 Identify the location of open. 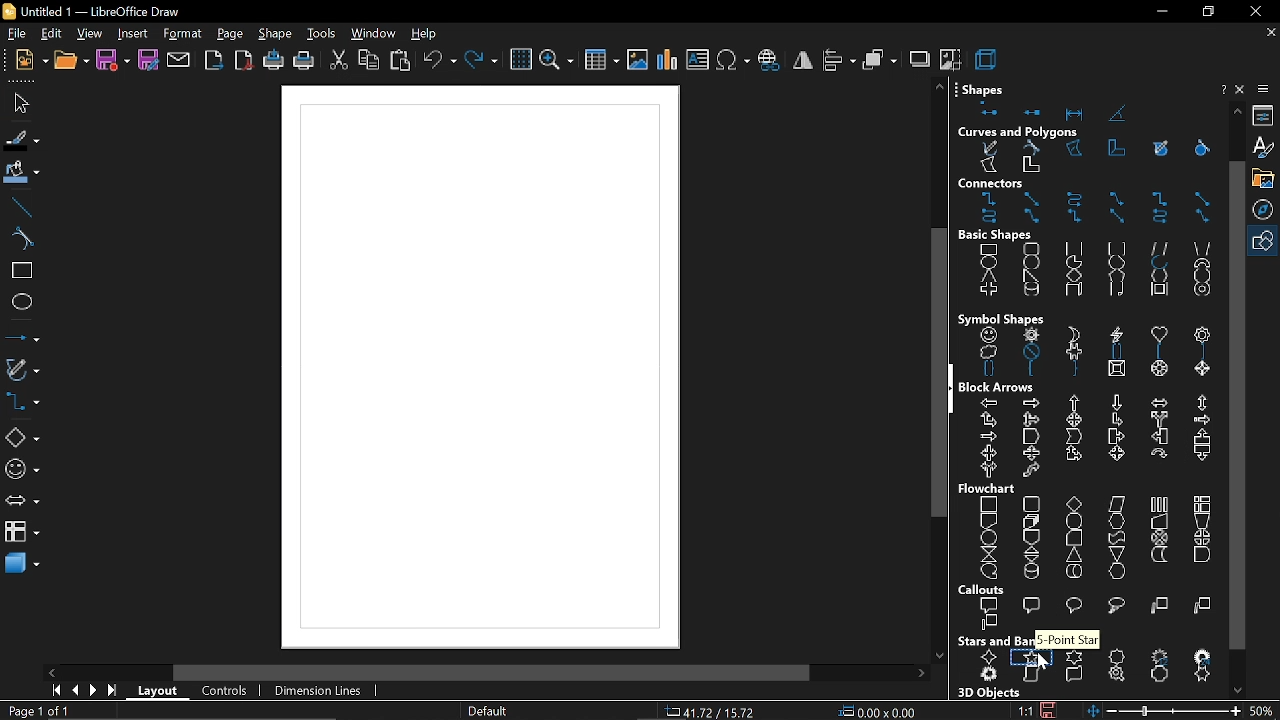
(70, 61).